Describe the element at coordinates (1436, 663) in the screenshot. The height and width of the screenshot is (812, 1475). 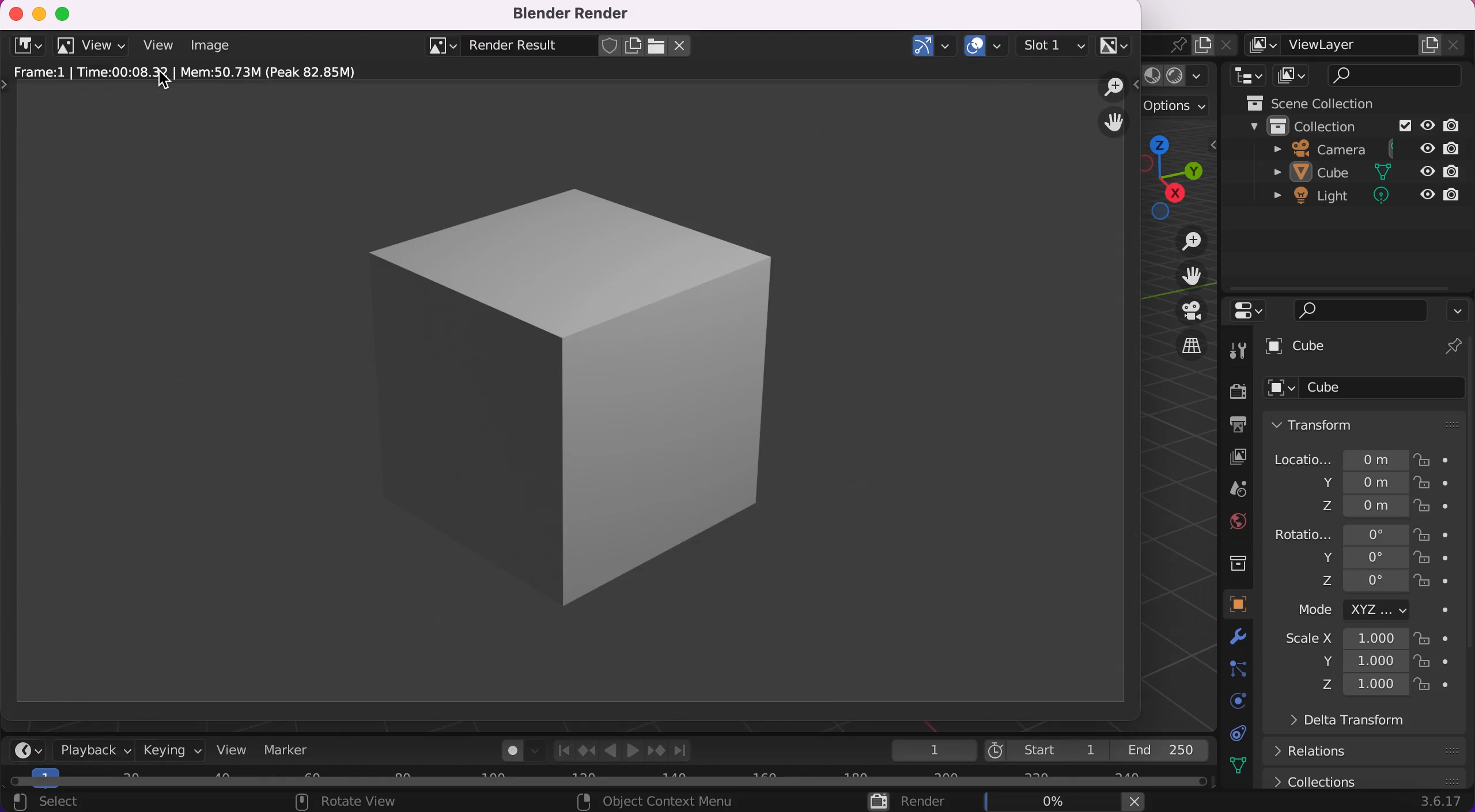
I see `lock` at that location.